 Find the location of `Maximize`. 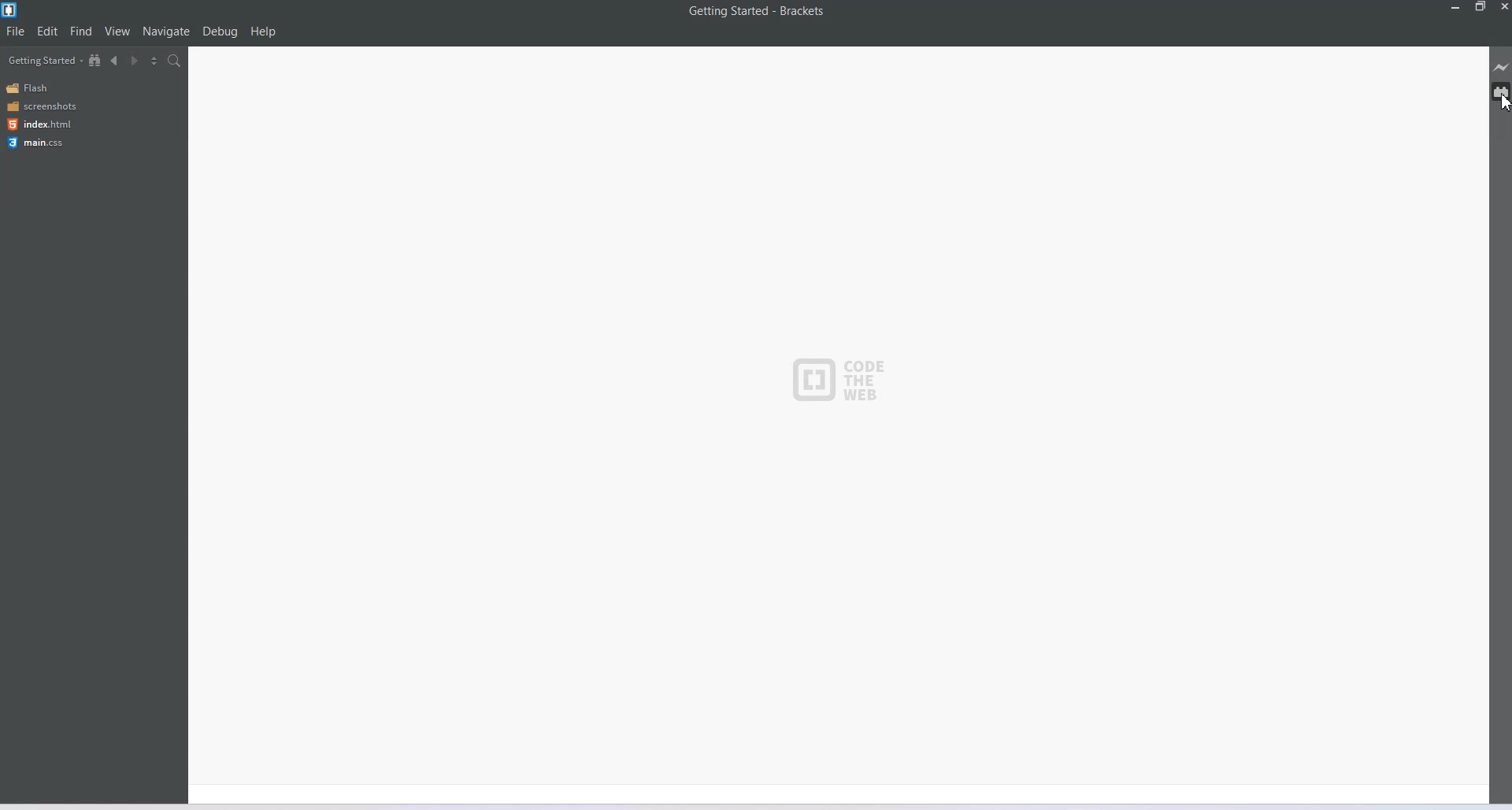

Maximize is located at coordinates (1480, 7).